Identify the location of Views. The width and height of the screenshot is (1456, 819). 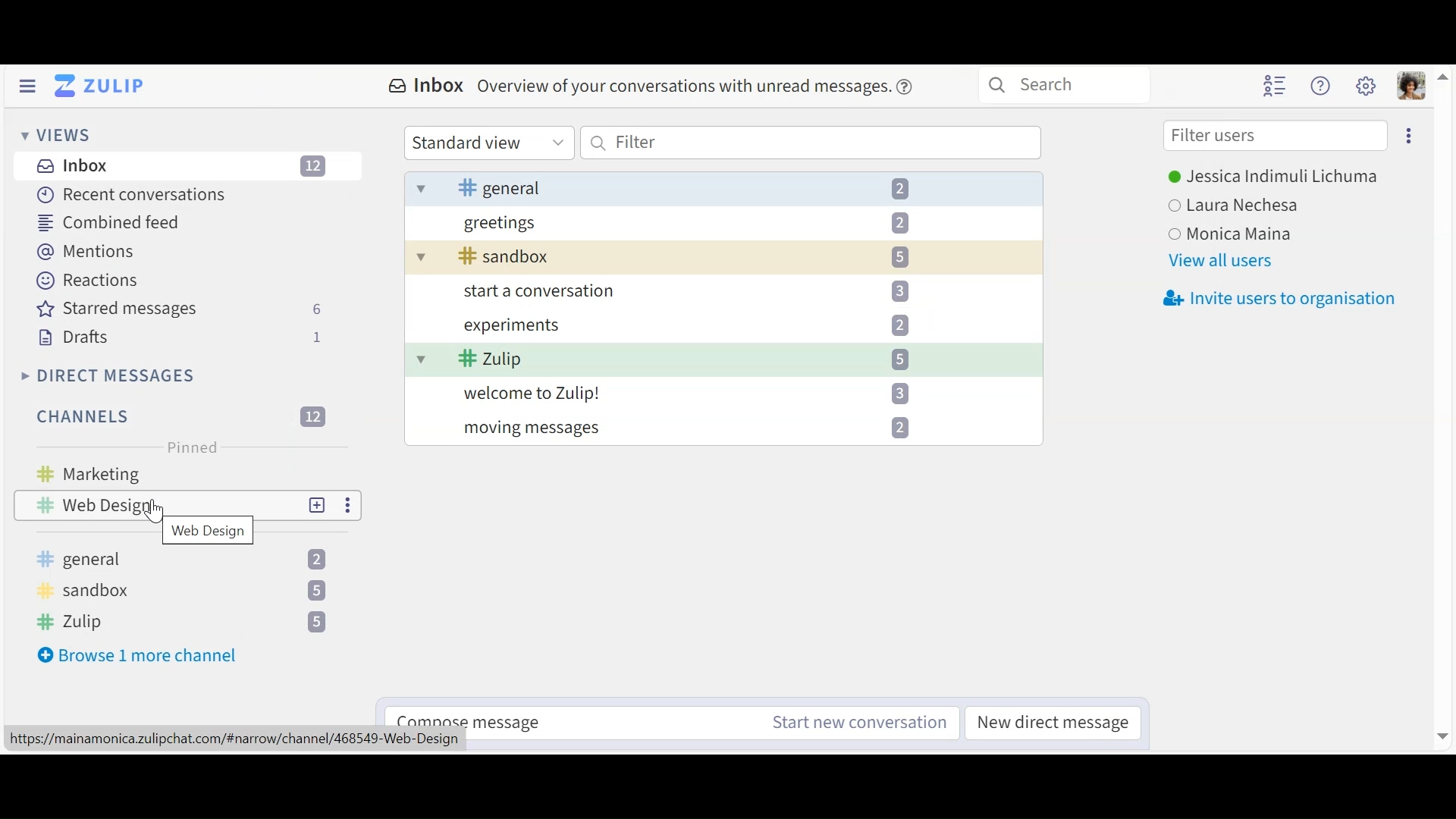
(54, 136).